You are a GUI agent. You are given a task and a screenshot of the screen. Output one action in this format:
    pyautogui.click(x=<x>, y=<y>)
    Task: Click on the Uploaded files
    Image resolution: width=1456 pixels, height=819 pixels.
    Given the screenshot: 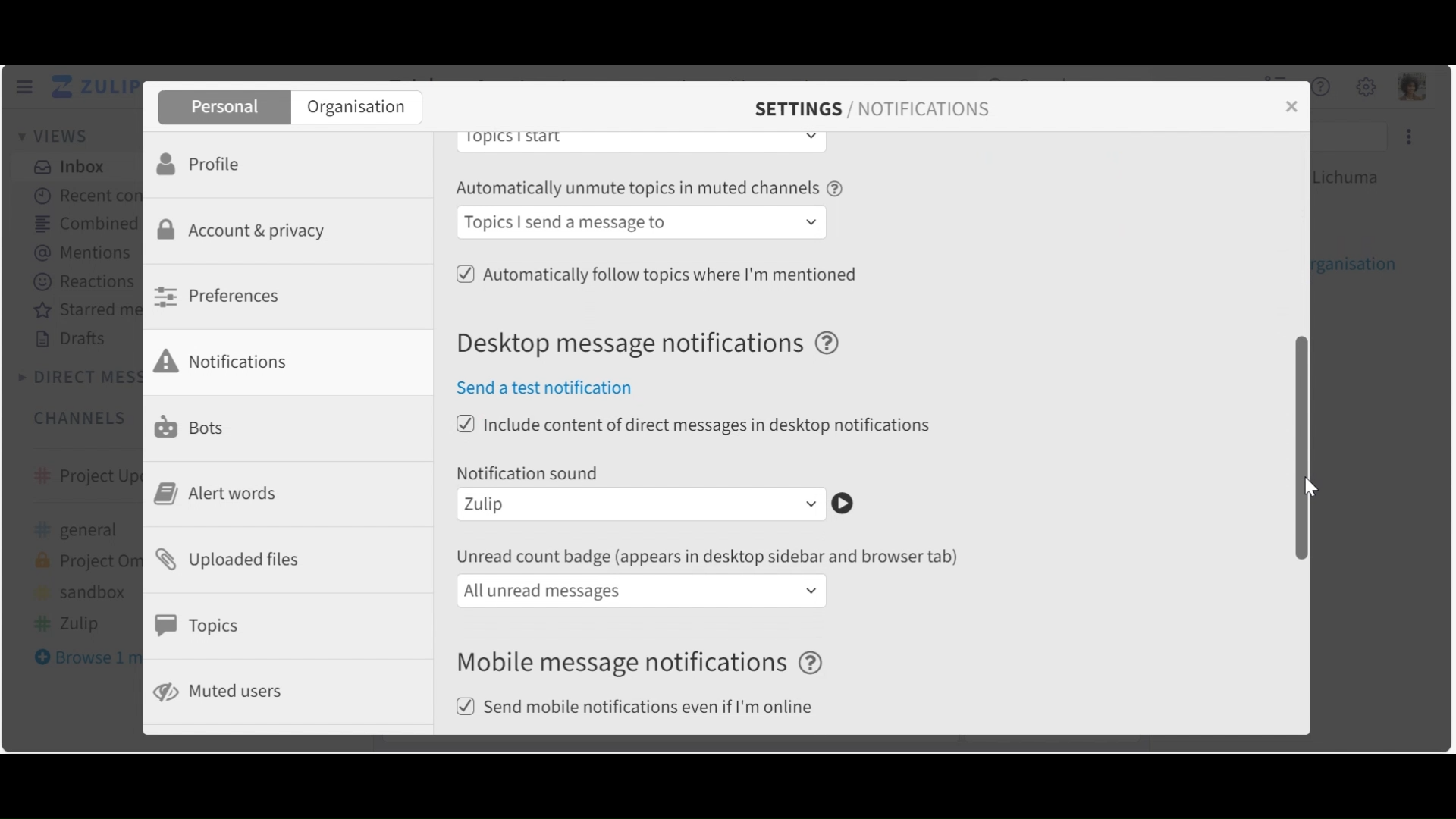 What is the action you would take?
    pyautogui.click(x=235, y=558)
    